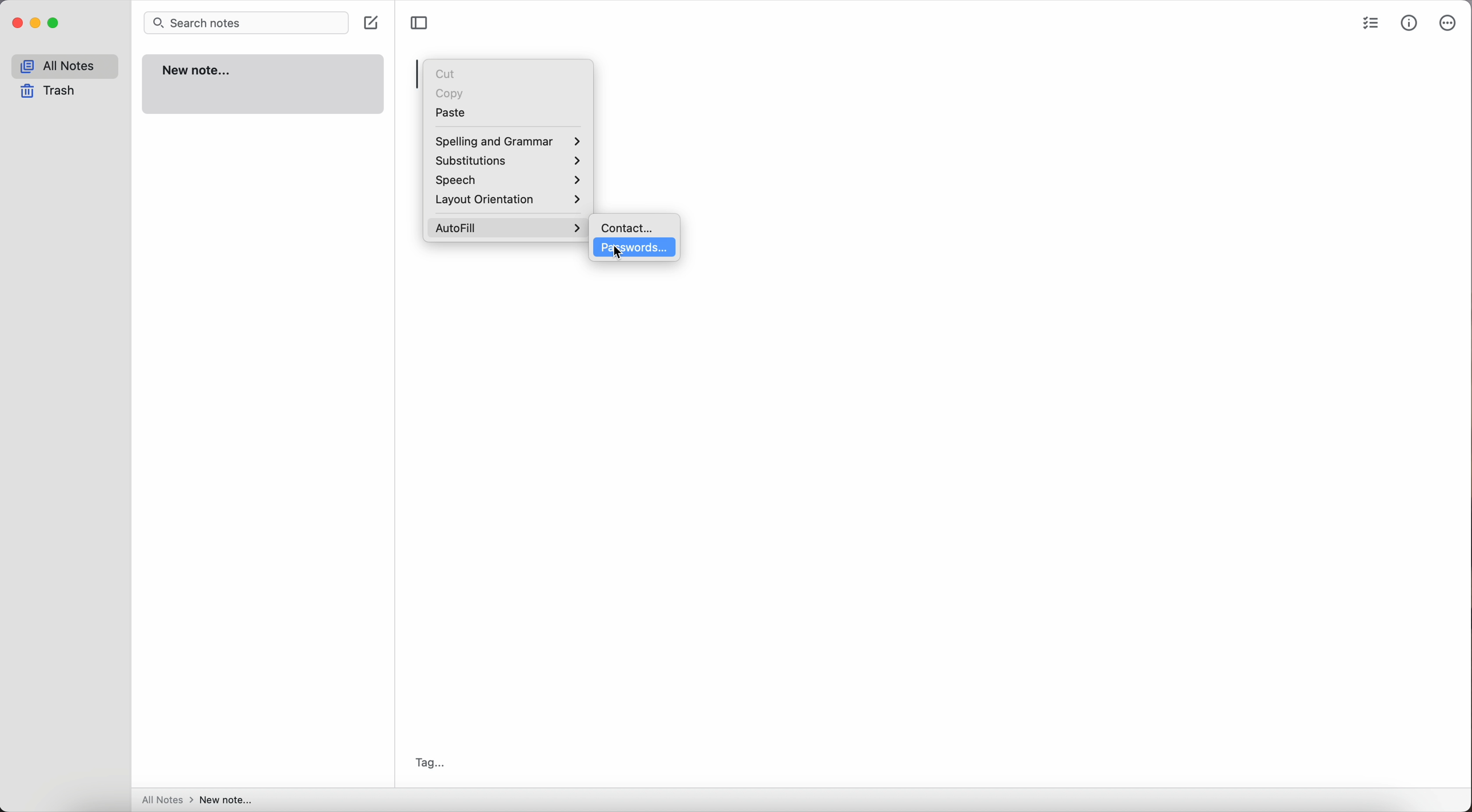 The height and width of the screenshot is (812, 1472). What do you see at coordinates (55, 23) in the screenshot?
I see `maximize` at bounding box center [55, 23].